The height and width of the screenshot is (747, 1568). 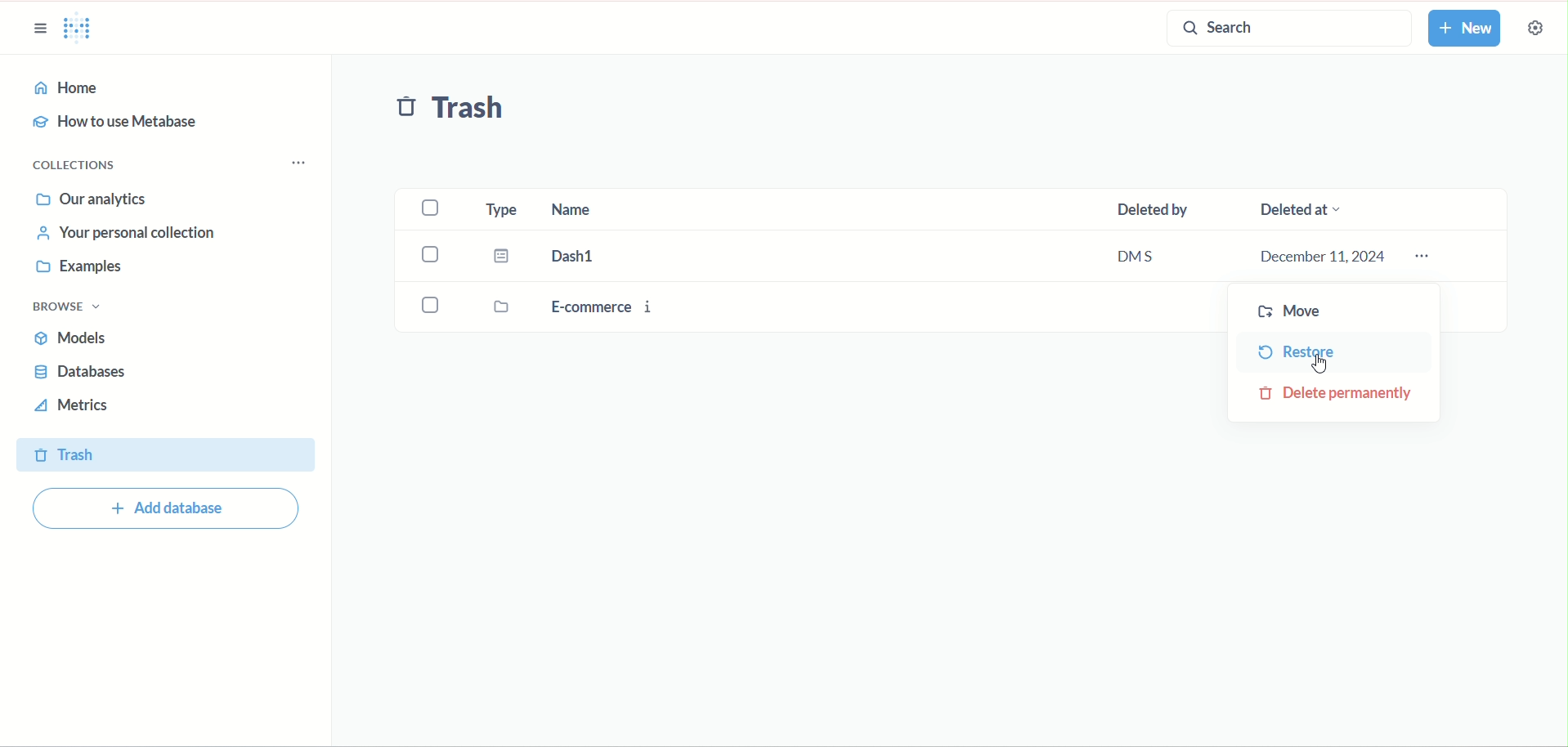 I want to click on collections, so click(x=74, y=163).